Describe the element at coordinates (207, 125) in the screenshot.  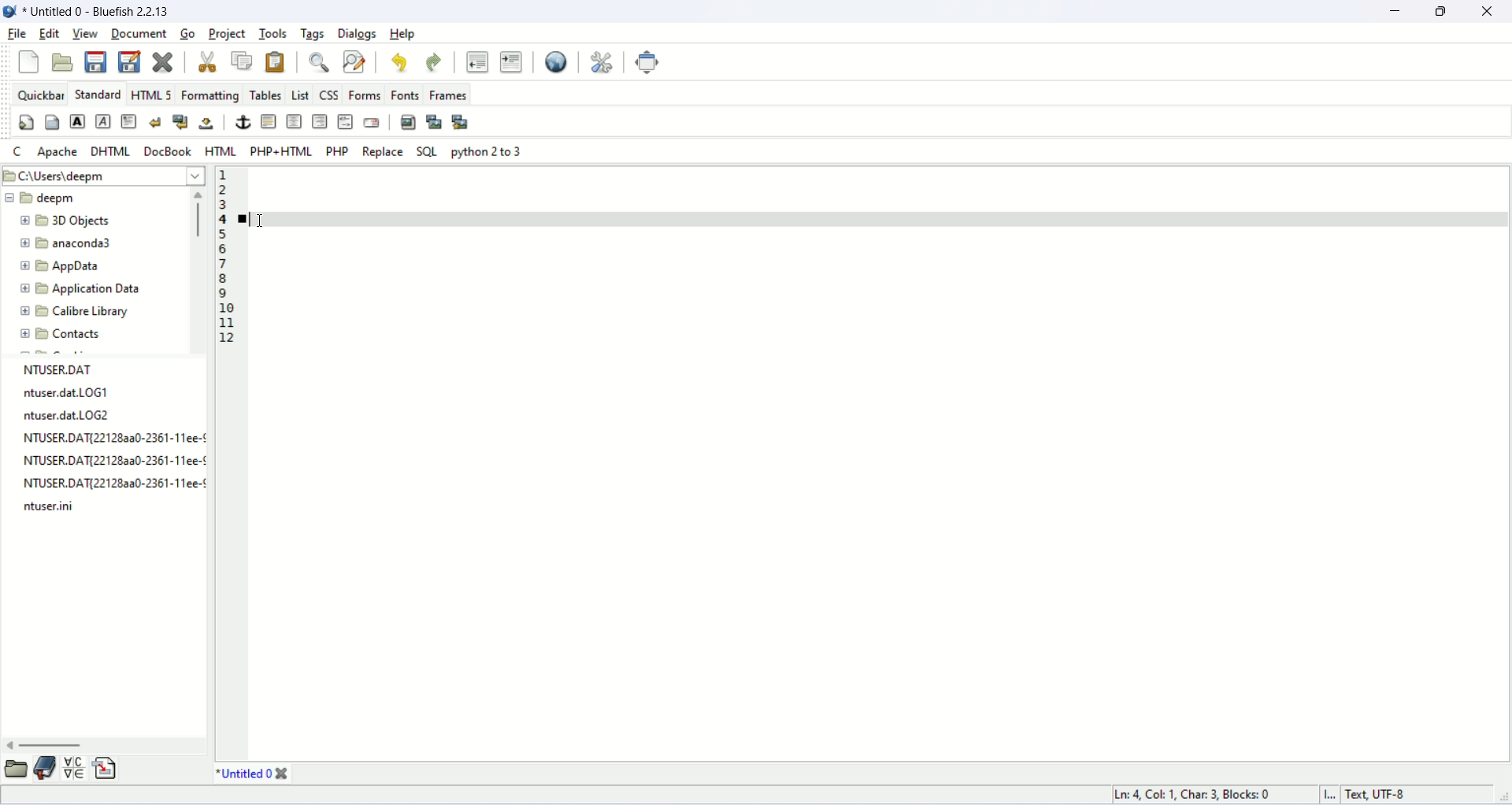
I see `non-breaking space` at that location.